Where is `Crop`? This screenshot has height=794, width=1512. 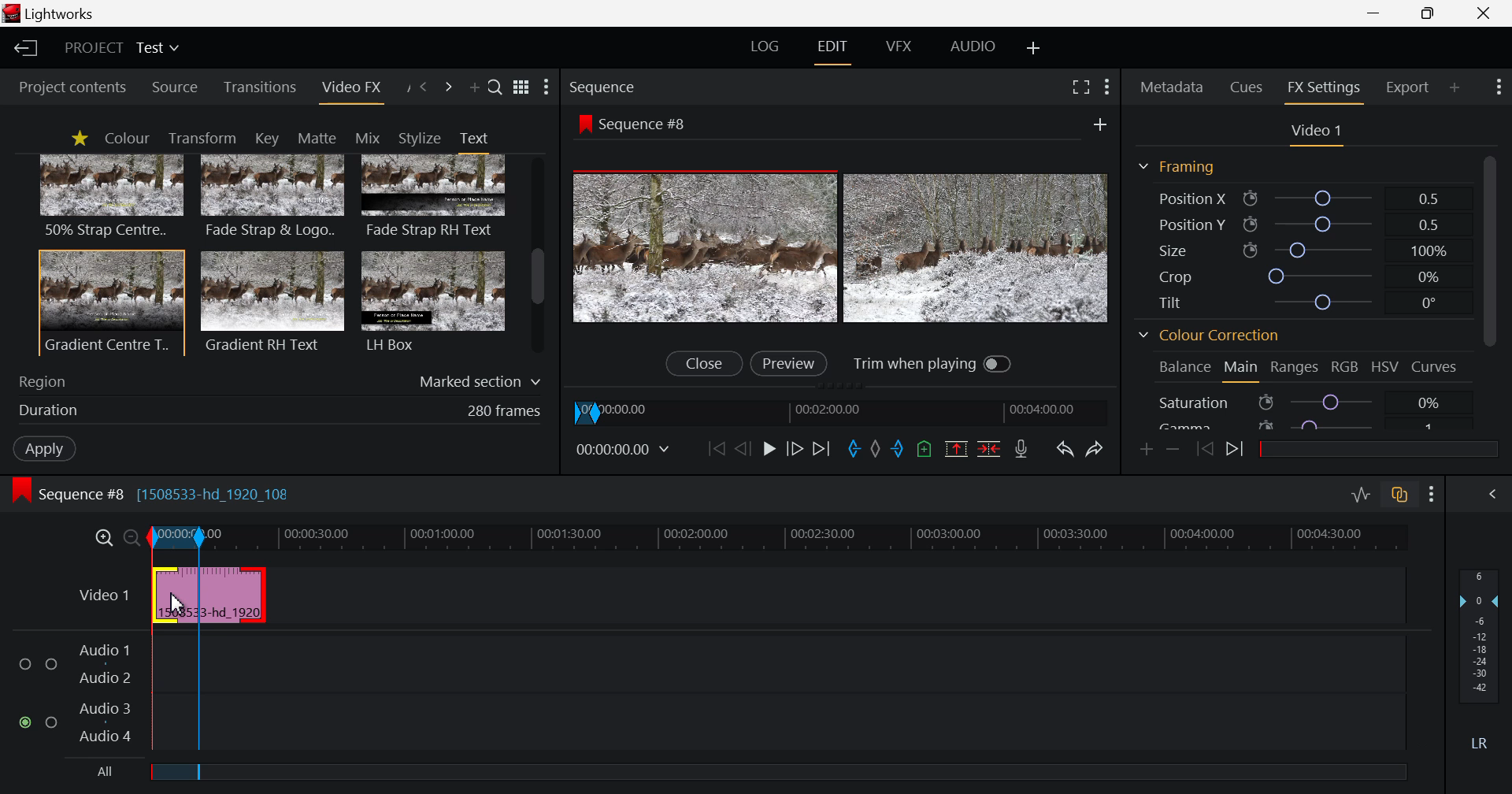
Crop is located at coordinates (1301, 276).